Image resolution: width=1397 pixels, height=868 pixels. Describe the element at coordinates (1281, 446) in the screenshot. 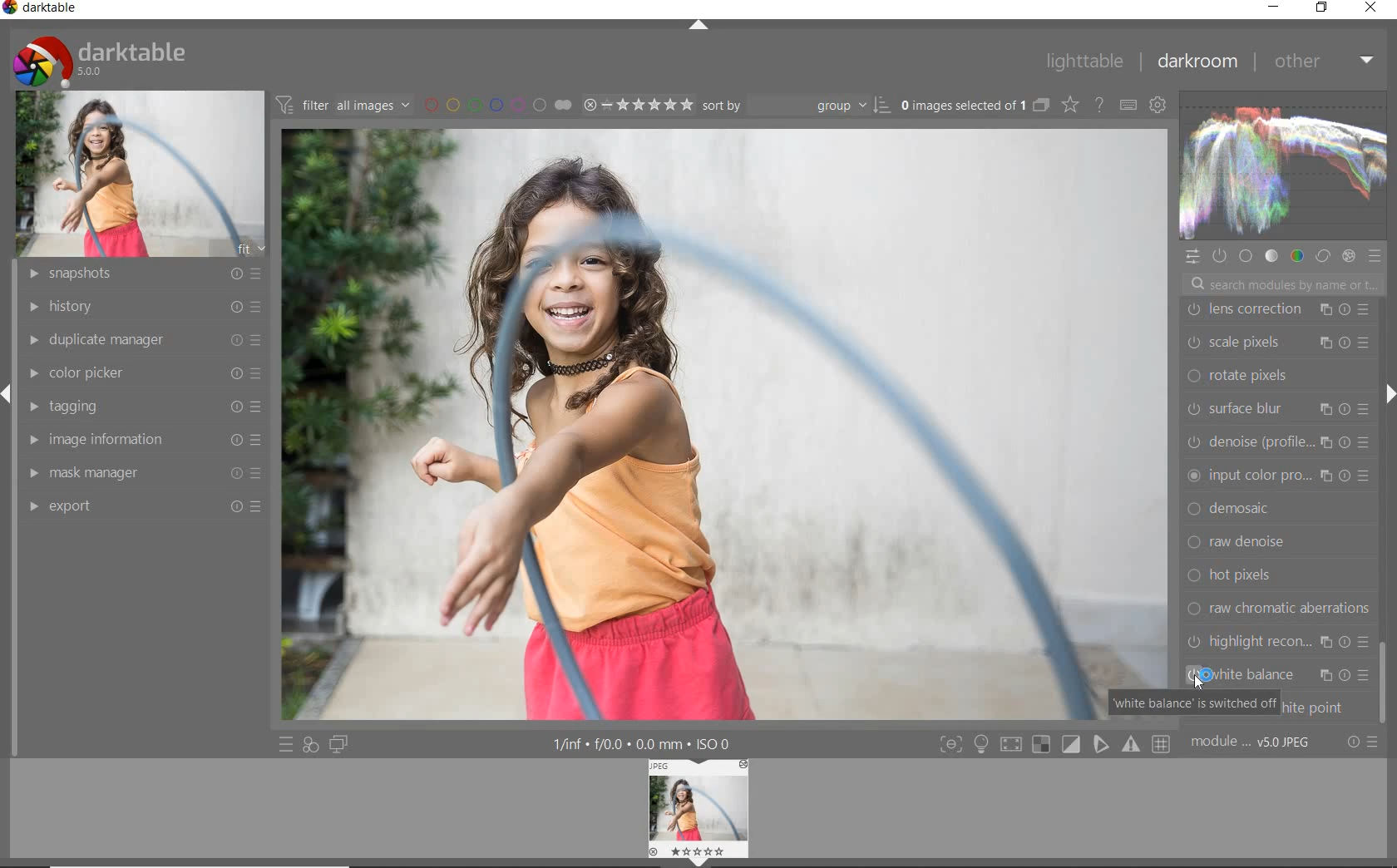

I see `color reconstruction` at that location.